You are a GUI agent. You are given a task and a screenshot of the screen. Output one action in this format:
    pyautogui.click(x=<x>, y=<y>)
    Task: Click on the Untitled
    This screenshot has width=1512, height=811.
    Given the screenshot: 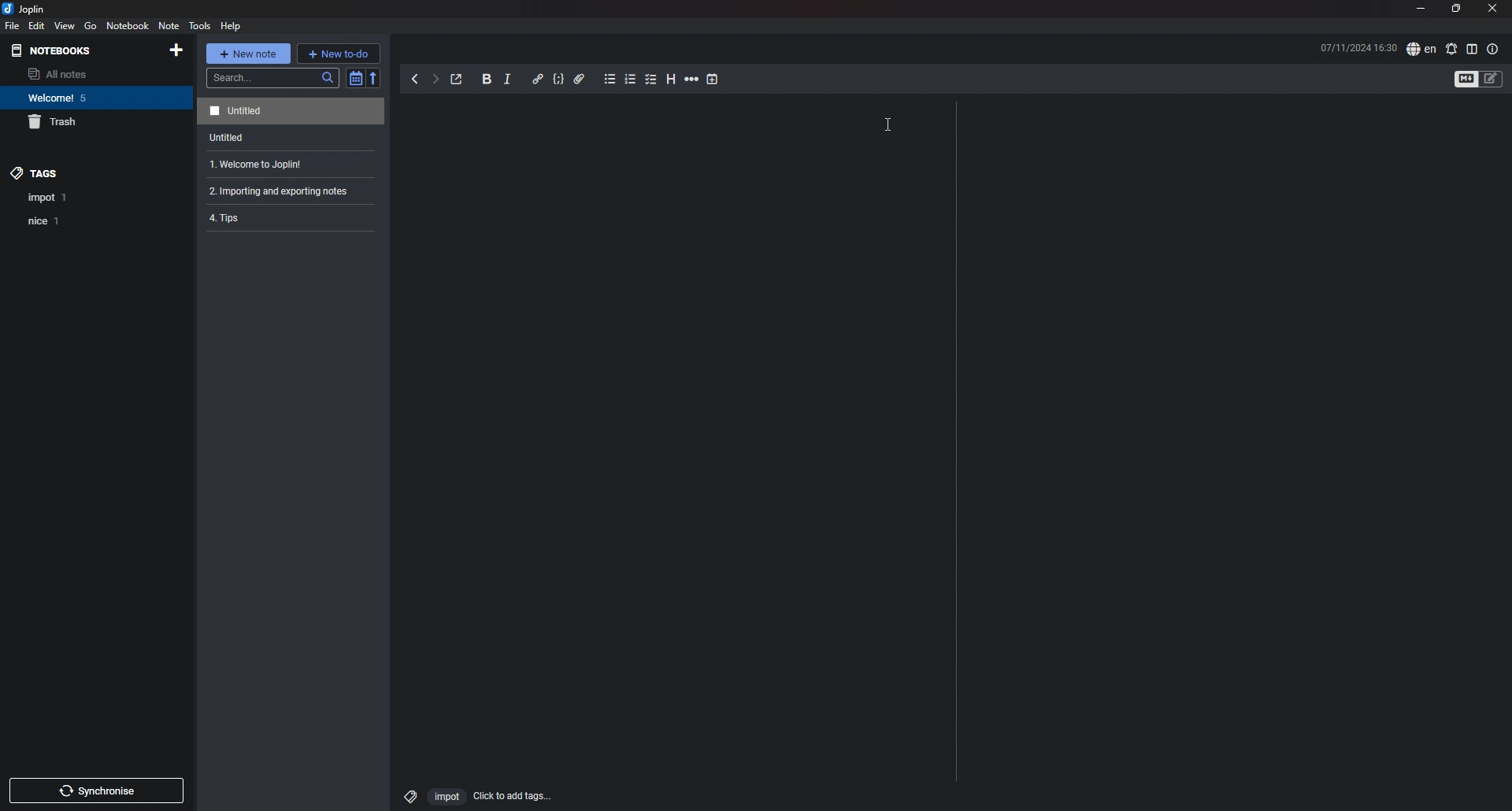 What is the action you would take?
    pyautogui.click(x=288, y=111)
    